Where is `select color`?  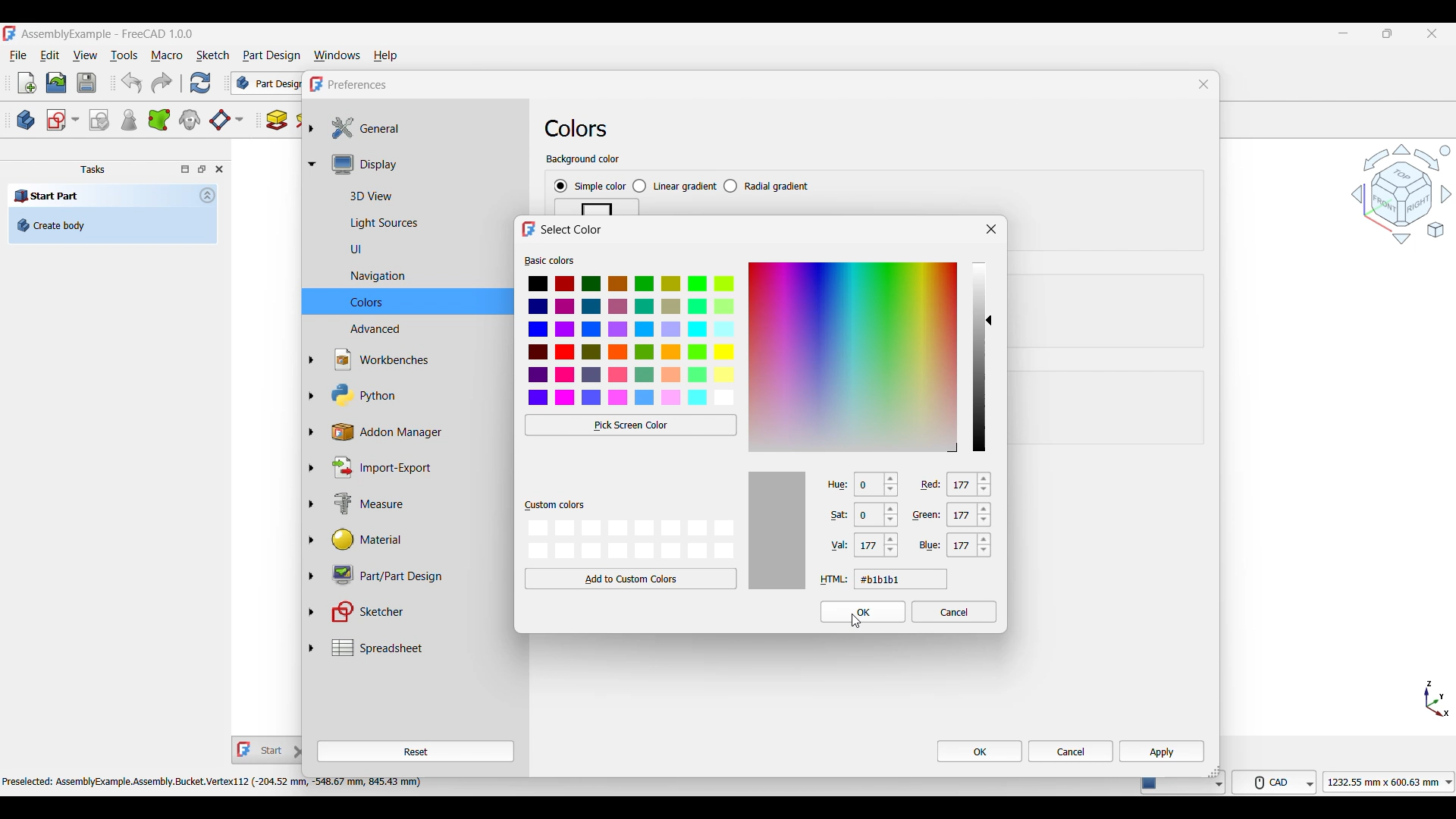
select color is located at coordinates (573, 230).